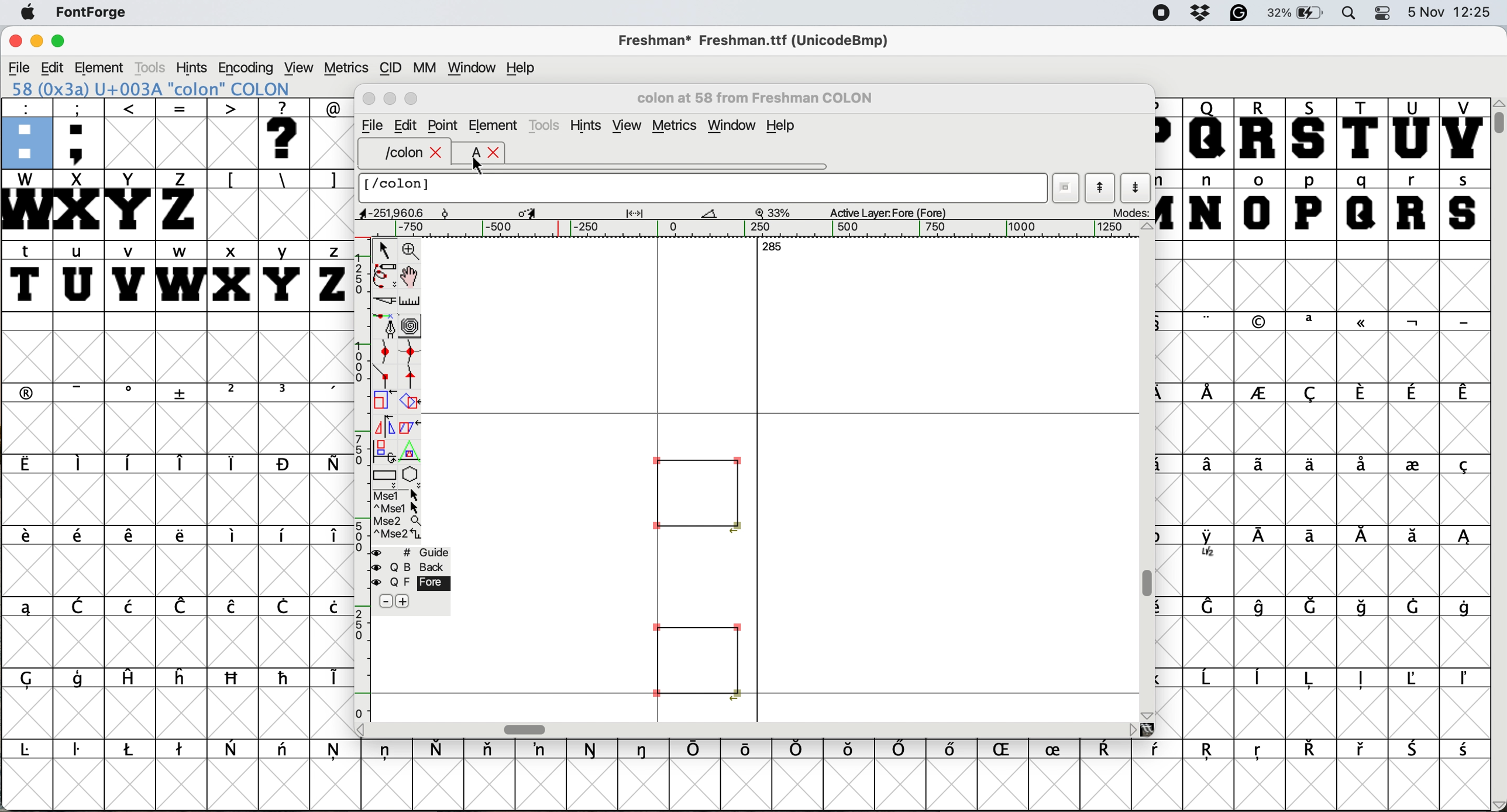 This screenshot has width=1507, height=812. I want to click on symbol, so click(80, 681).